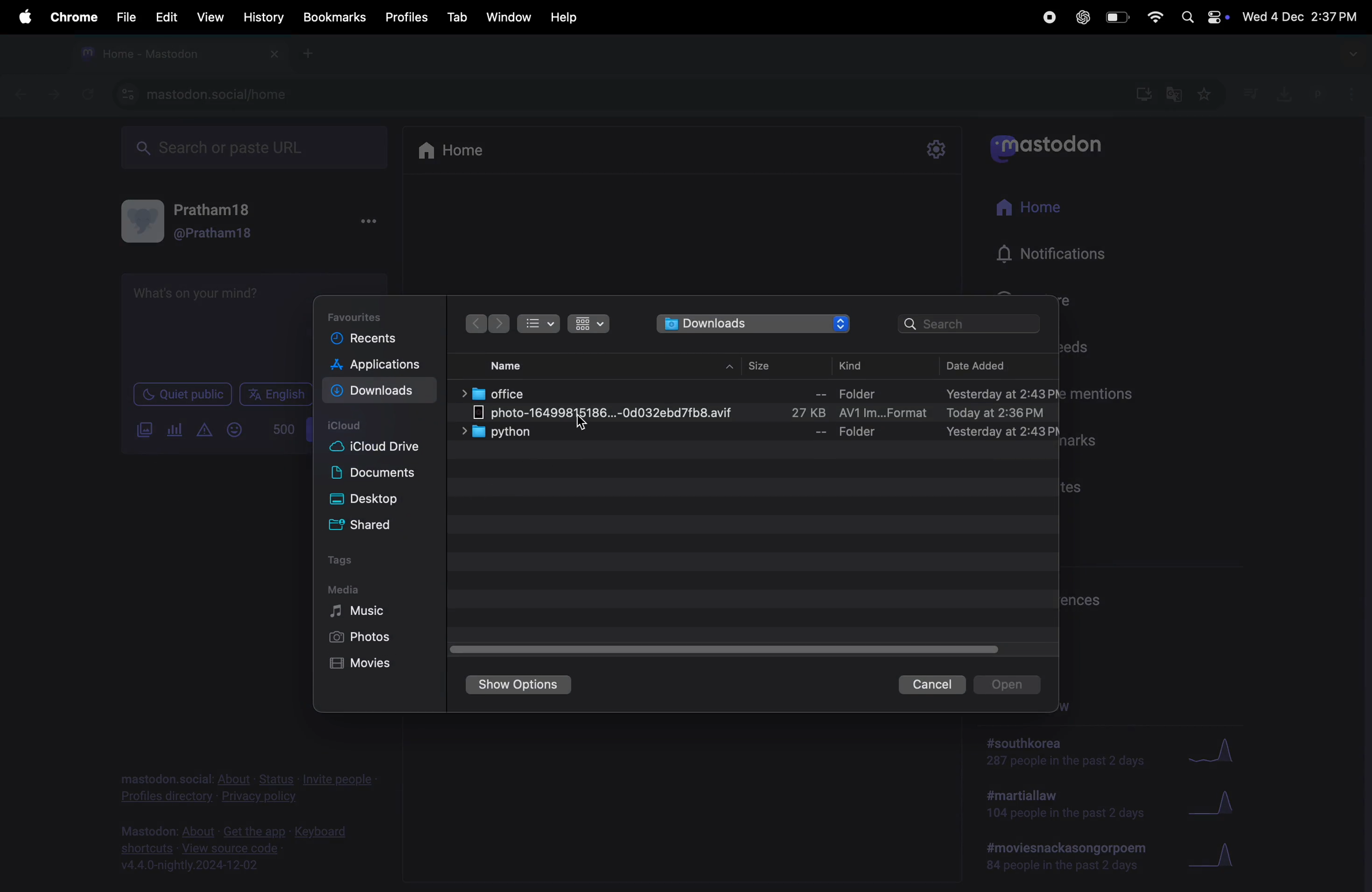 The image size is (1372, 892). I want to click on Settings, so click(936, 150).